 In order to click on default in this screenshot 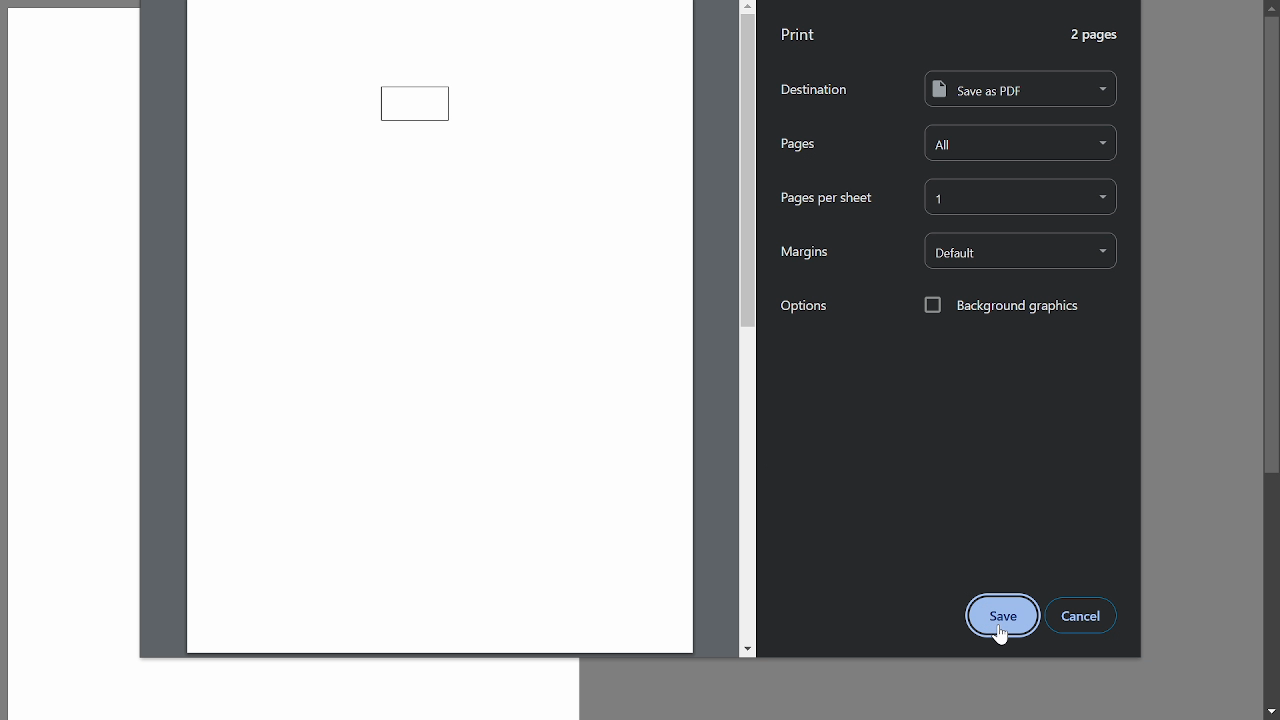, I will do `click(1024, 252)`.